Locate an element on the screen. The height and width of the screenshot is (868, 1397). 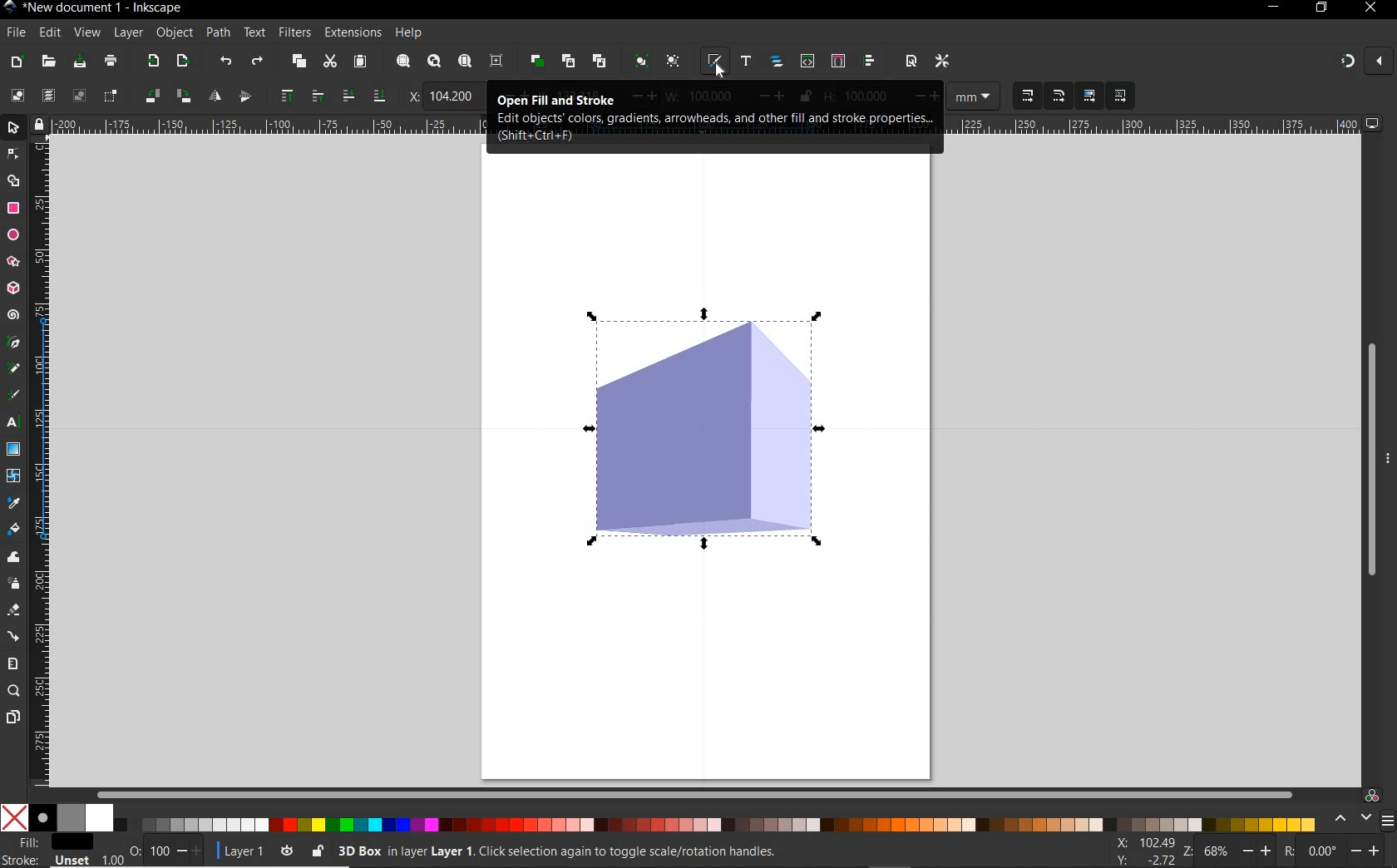
ZOOM PAGE is located at coordinates (464, 62).